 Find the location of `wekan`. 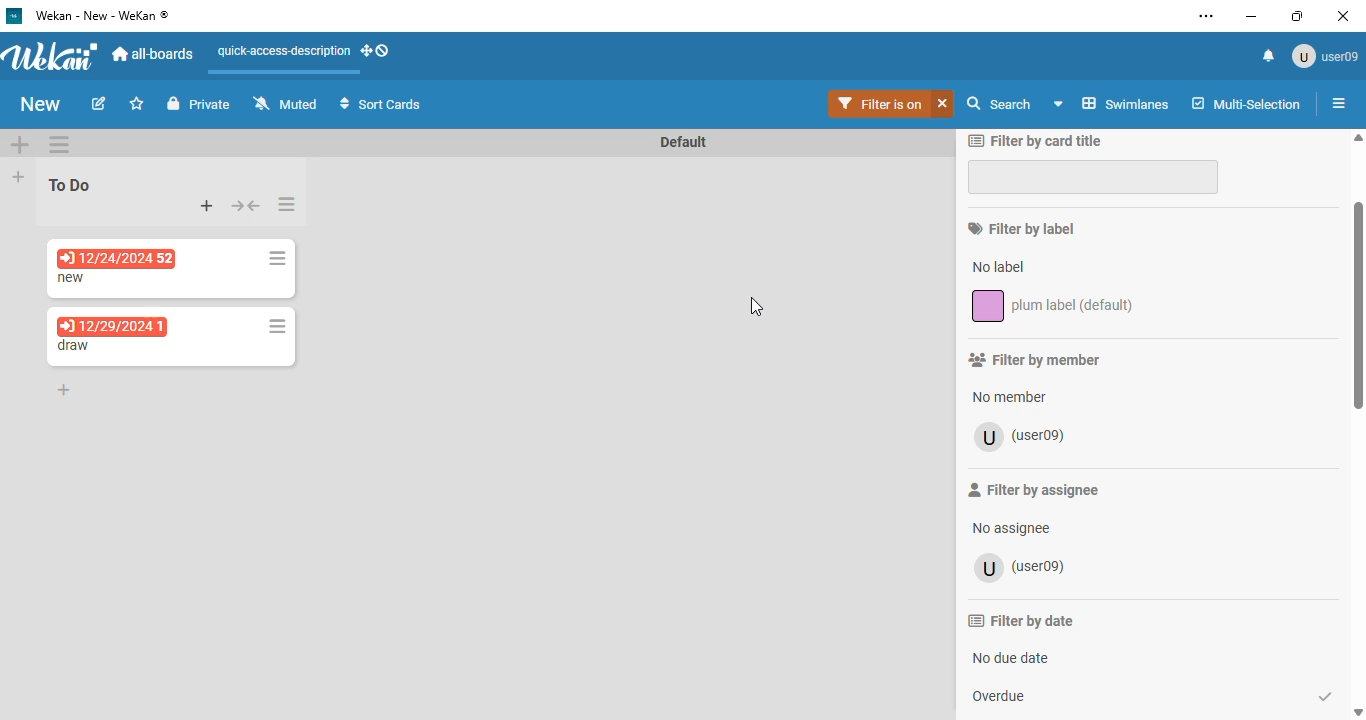

wekan is located at coordinates (51, 55).